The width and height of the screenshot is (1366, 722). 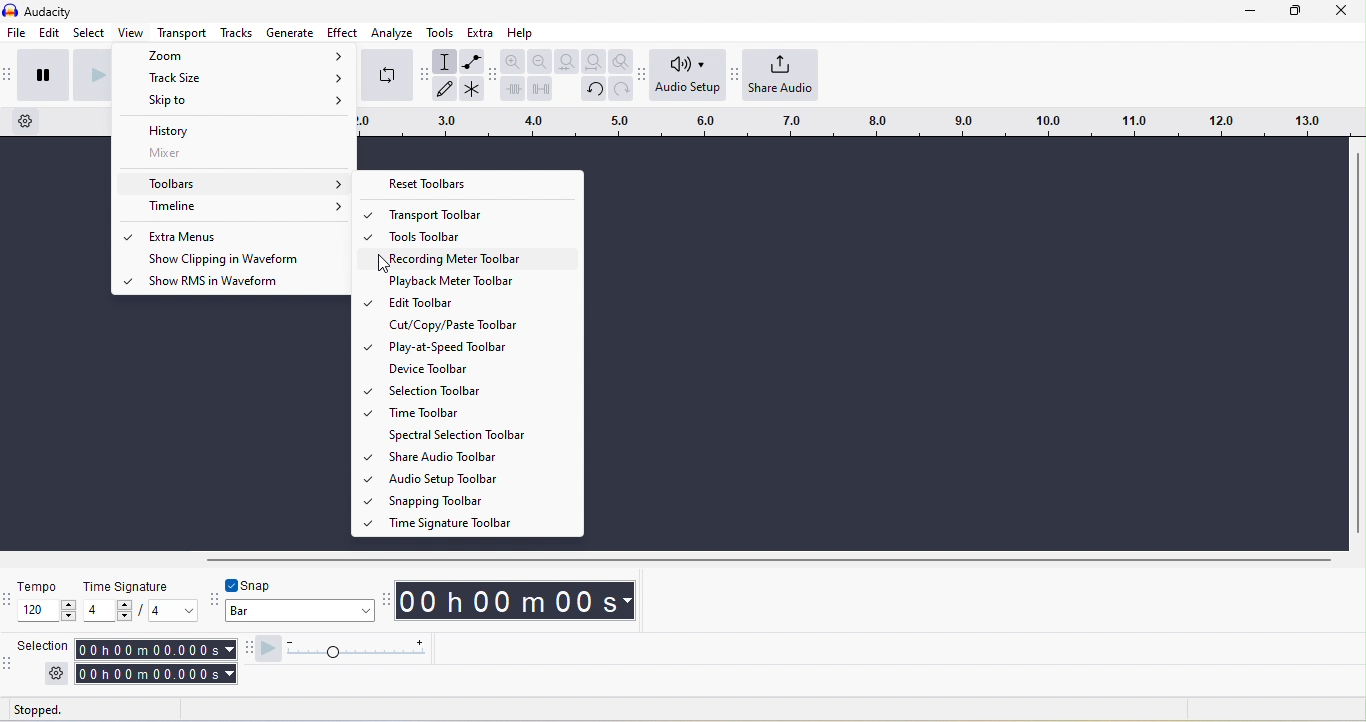 What do you see at coordinates (688, 74) in the screenshot?
I see `audio setup` at bounding box center [688, 74].